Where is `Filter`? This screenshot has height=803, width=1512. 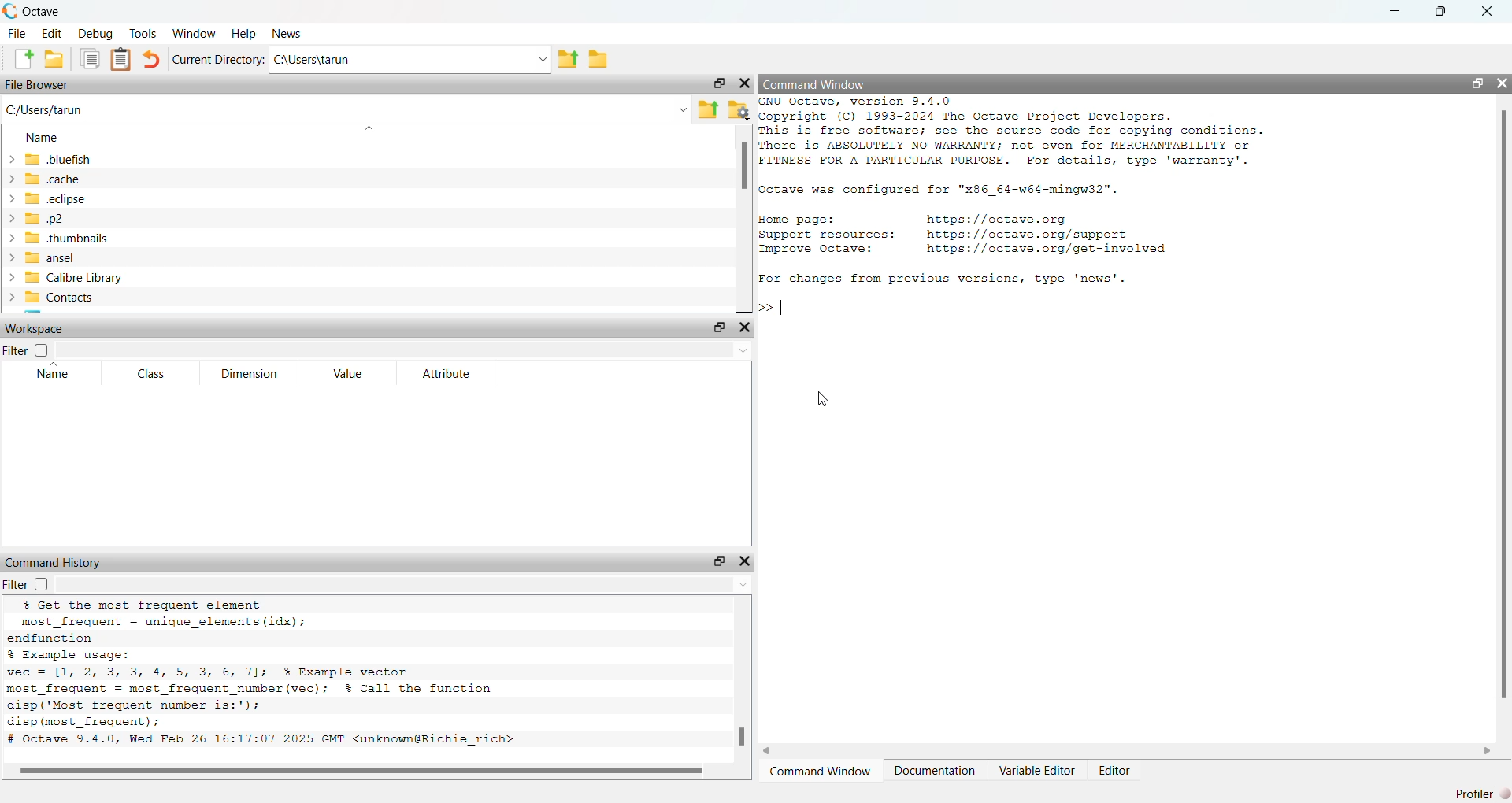 Filter is located at coordinates (26, 584).